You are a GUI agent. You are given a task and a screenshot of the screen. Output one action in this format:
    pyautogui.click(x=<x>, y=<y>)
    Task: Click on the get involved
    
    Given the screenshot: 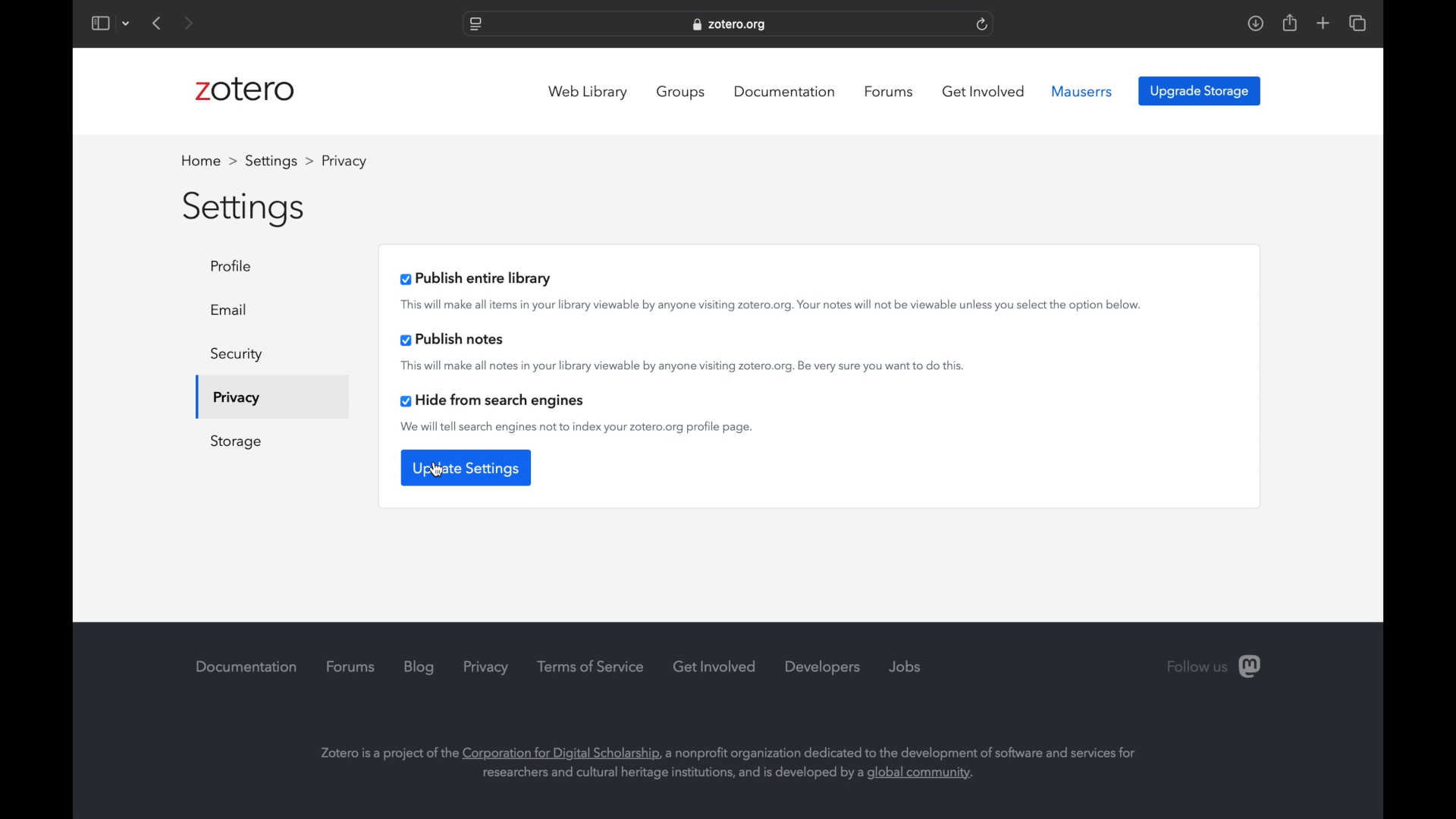 What is the action you would take?
    pyautogui.click(x=984, y=91)
    